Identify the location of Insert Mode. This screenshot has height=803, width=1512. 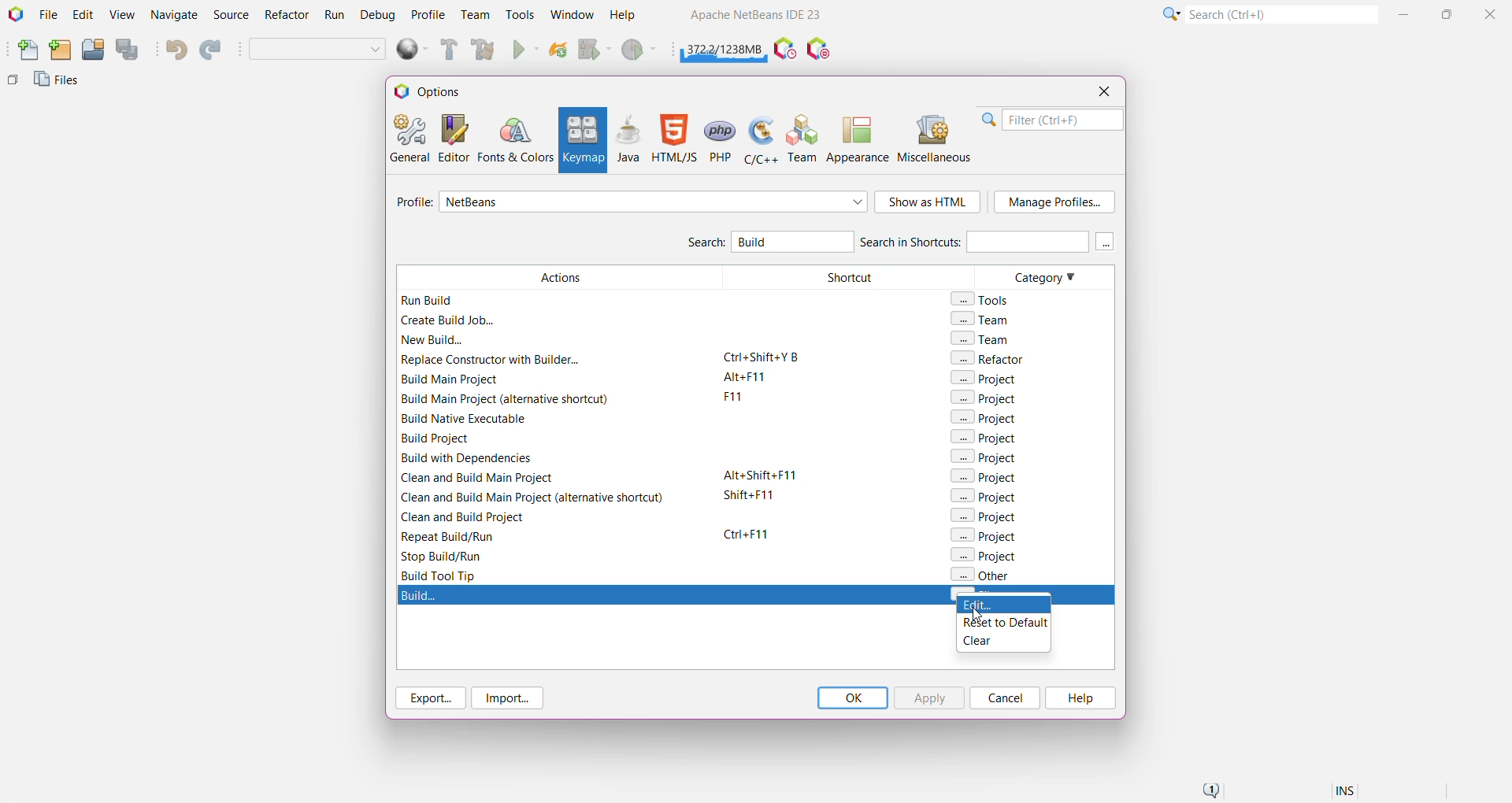
(1347, 793).